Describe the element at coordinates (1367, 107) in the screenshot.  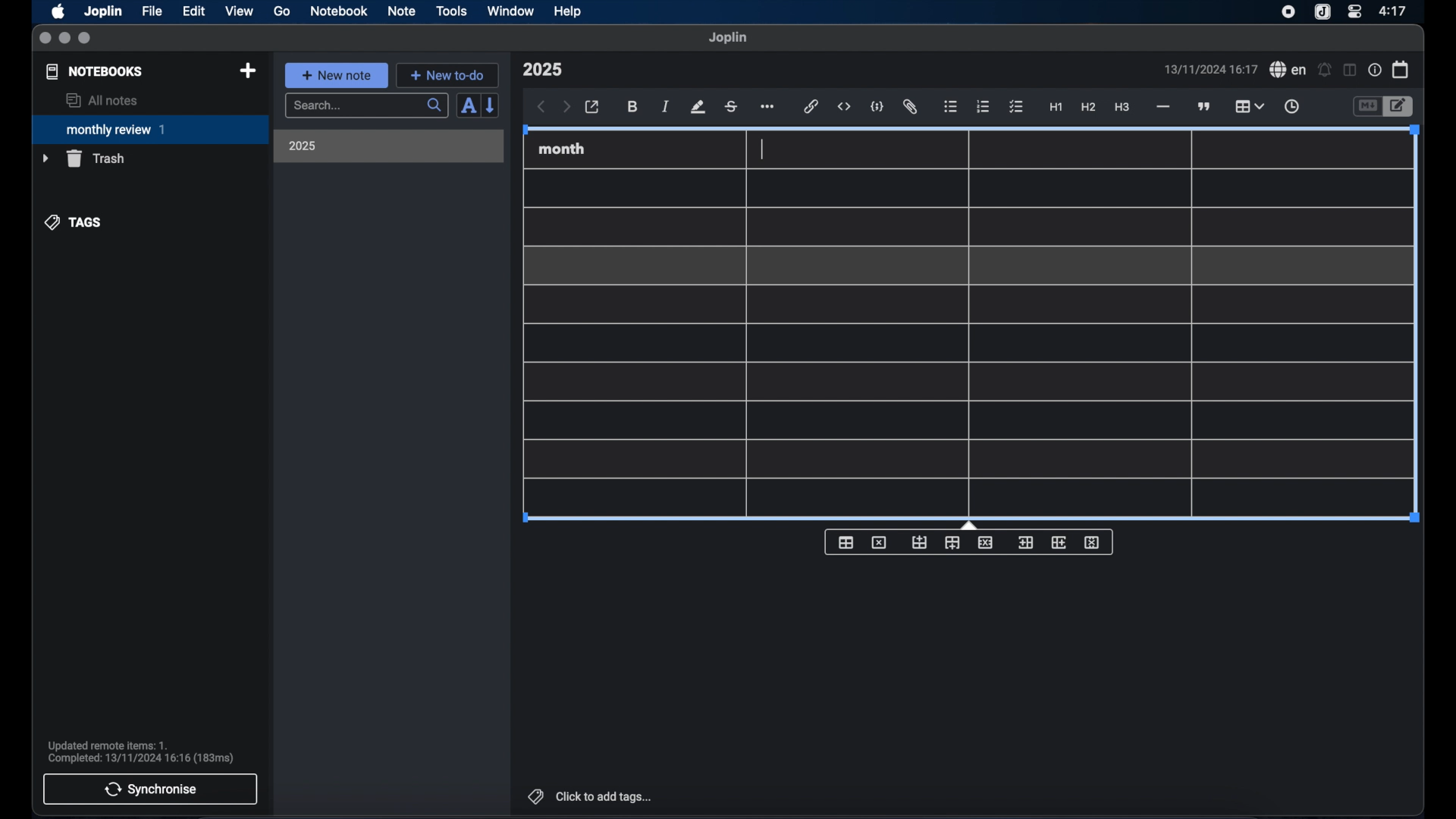
I see `toggle editor` at that location.